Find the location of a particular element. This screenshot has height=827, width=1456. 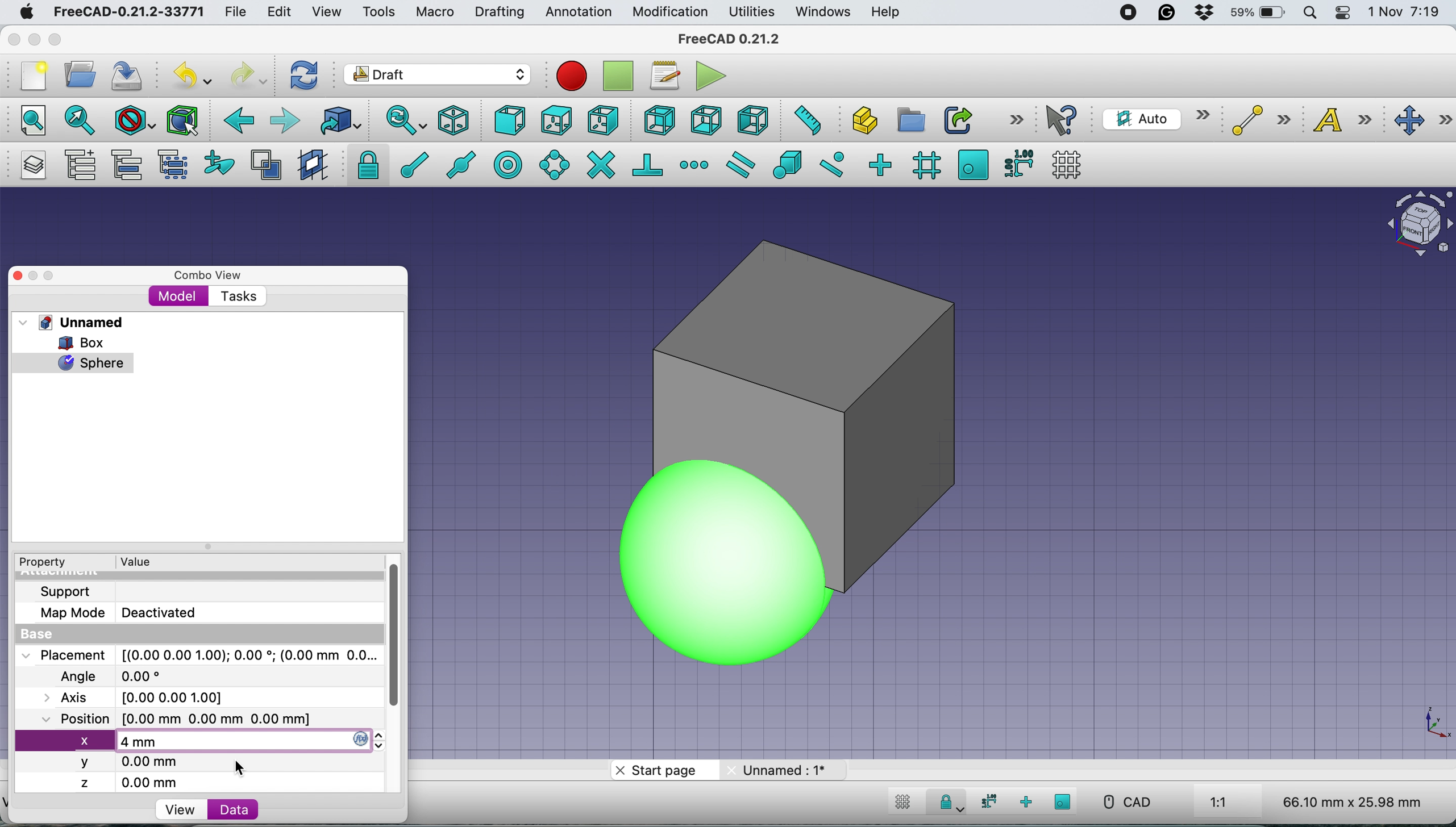

measure distance is located at coordinates (804, 119).